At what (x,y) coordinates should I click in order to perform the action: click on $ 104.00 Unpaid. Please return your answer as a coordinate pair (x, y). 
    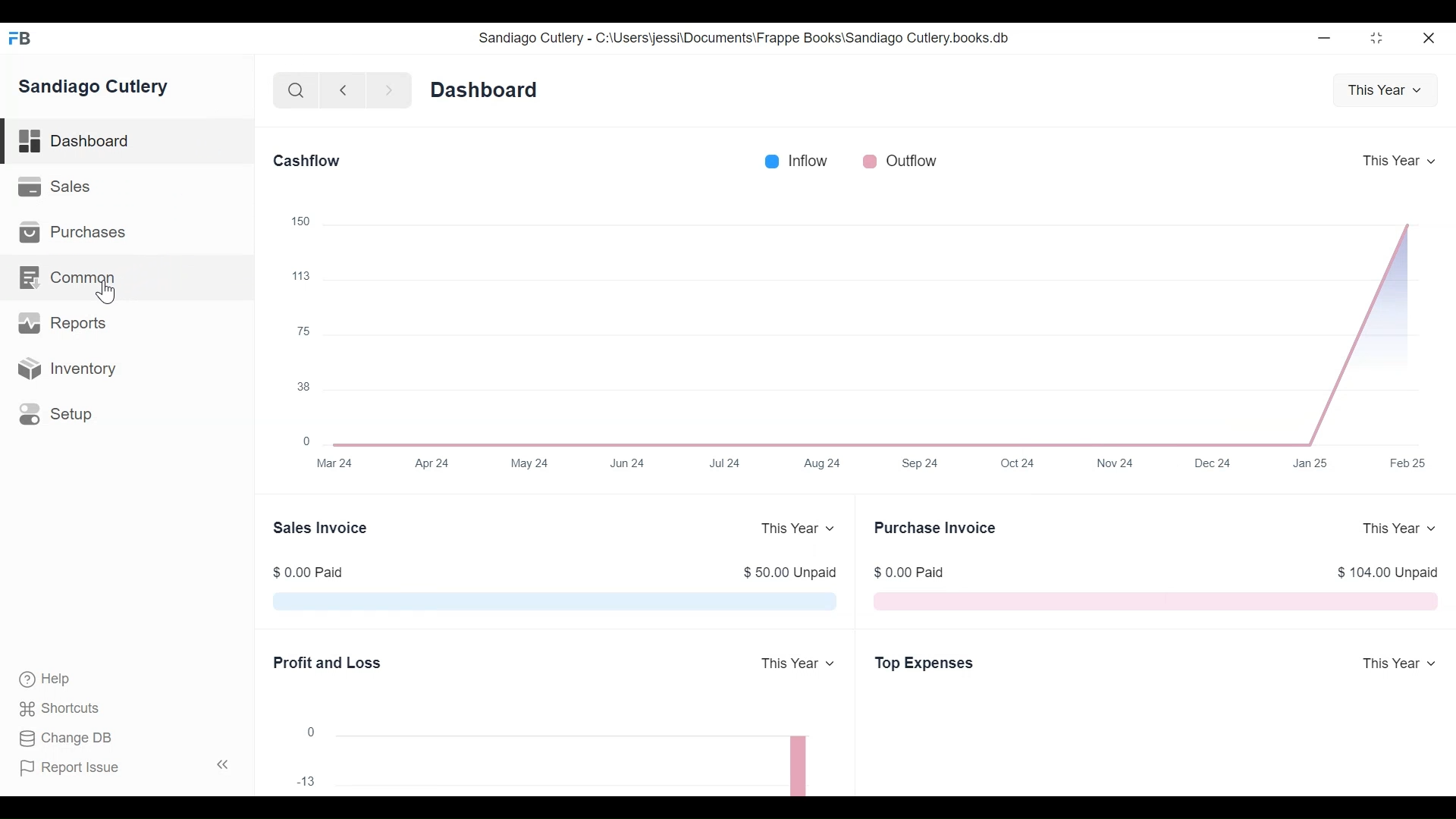
    Looking at the image, I should click on (1388, 573).